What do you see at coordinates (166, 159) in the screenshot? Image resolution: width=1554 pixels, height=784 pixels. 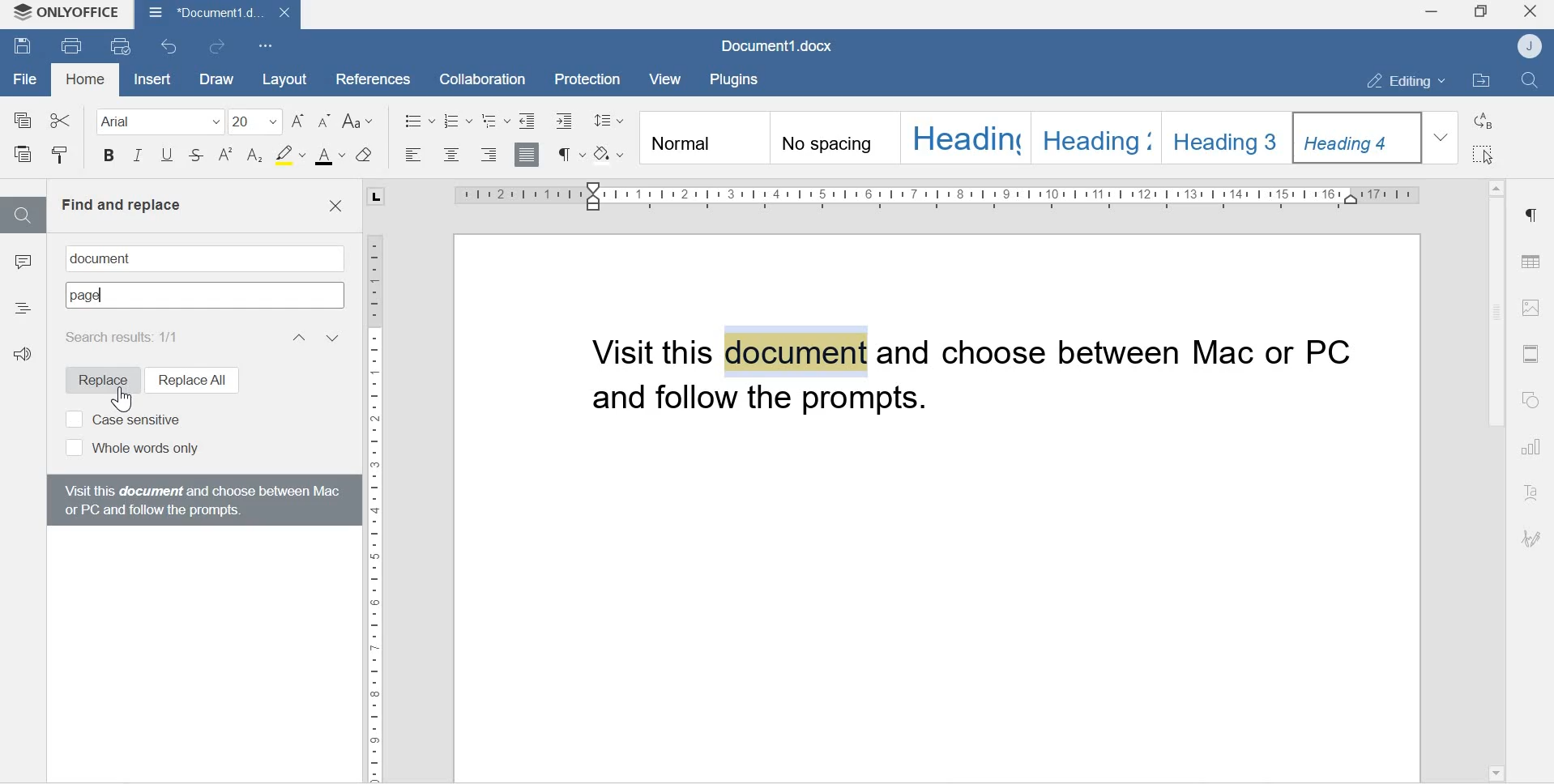 I see `Underline` at bounding box center [166, 159].